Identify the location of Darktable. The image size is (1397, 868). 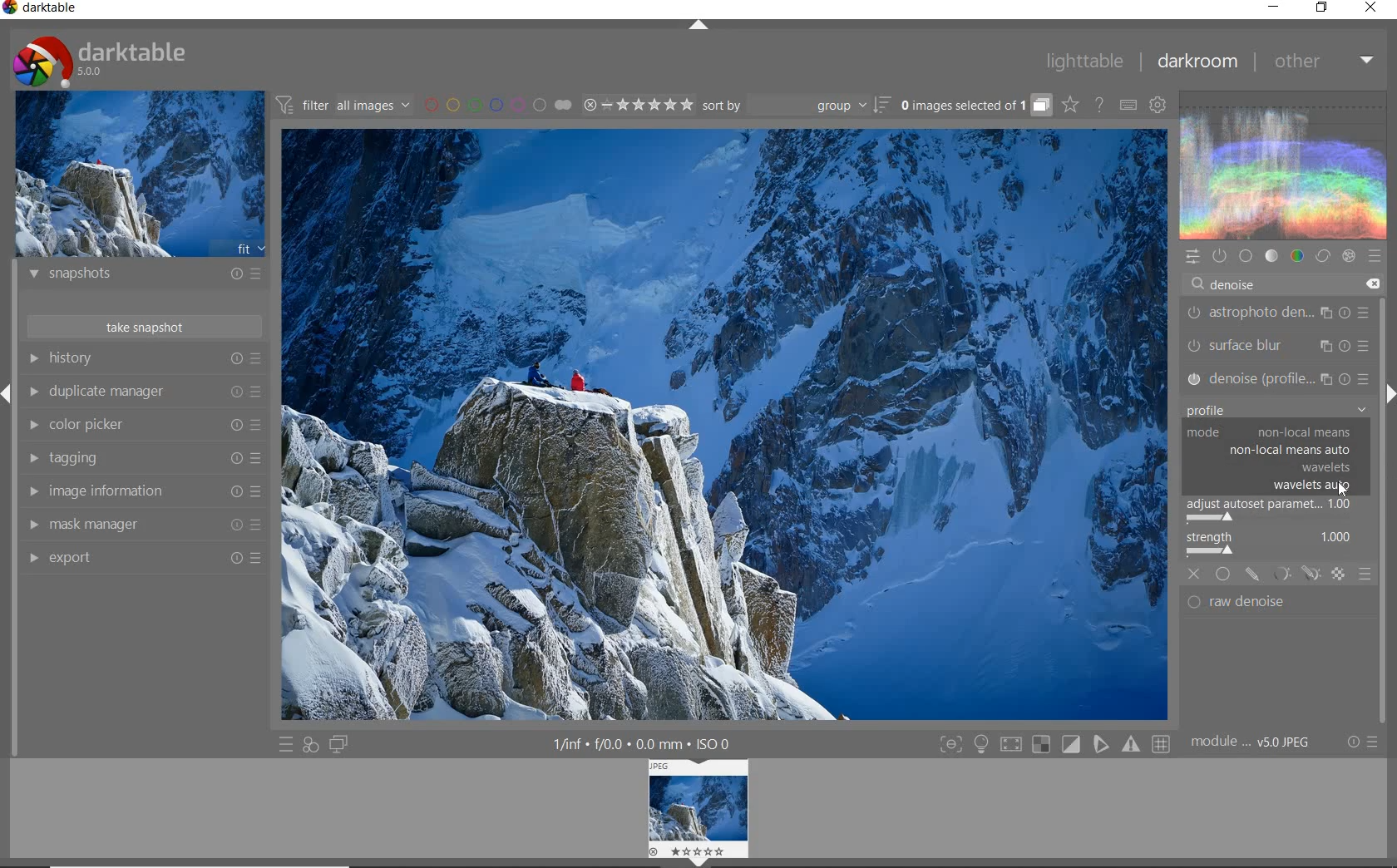
(42, 11).